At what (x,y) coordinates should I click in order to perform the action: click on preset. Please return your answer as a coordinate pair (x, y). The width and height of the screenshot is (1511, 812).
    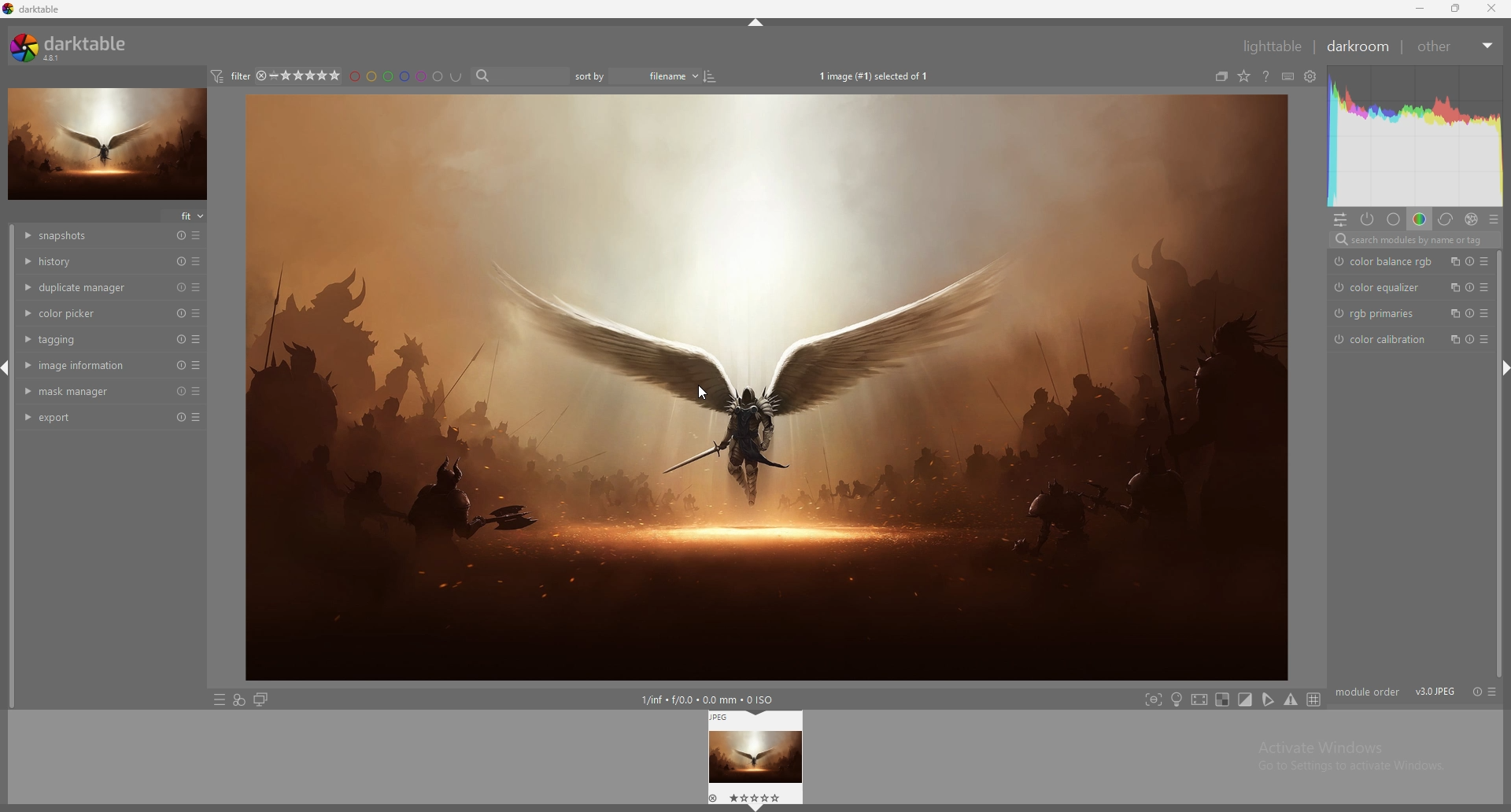
    Looking at the image, I should click on (1485, 312).